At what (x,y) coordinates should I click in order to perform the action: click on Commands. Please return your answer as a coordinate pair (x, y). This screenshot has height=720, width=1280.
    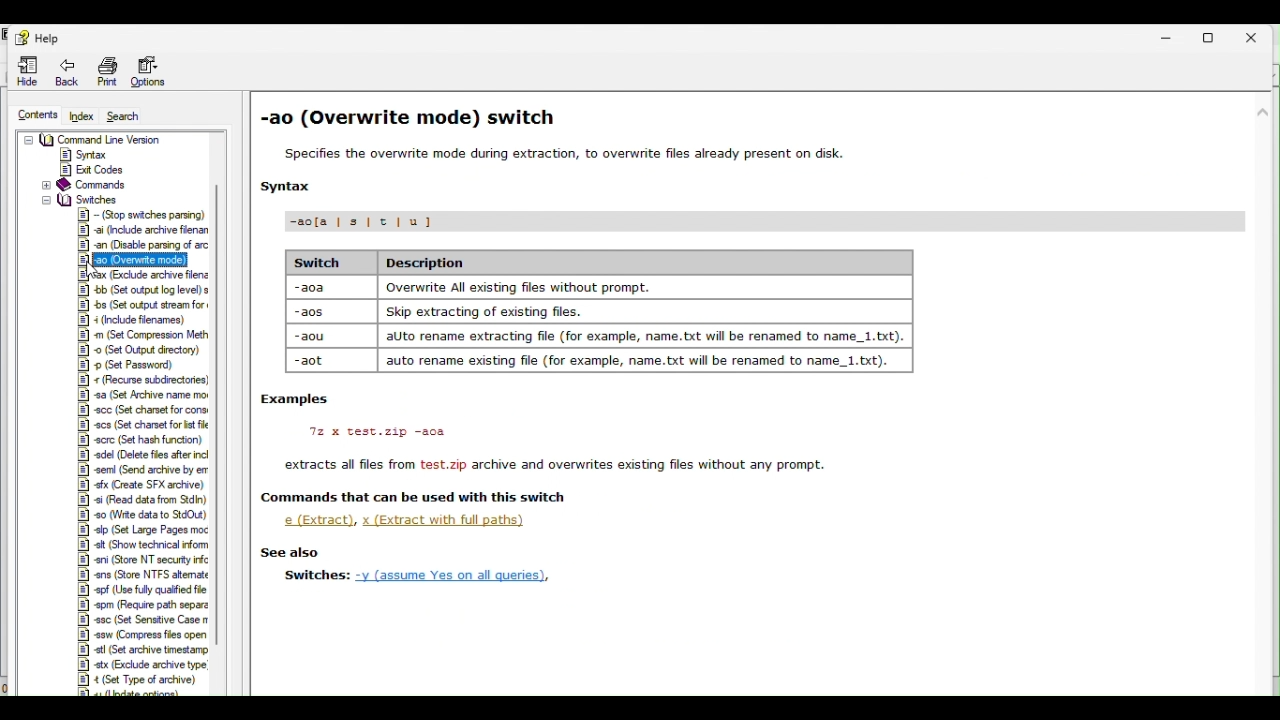
    Looking at the image, I should click on (114, 185).